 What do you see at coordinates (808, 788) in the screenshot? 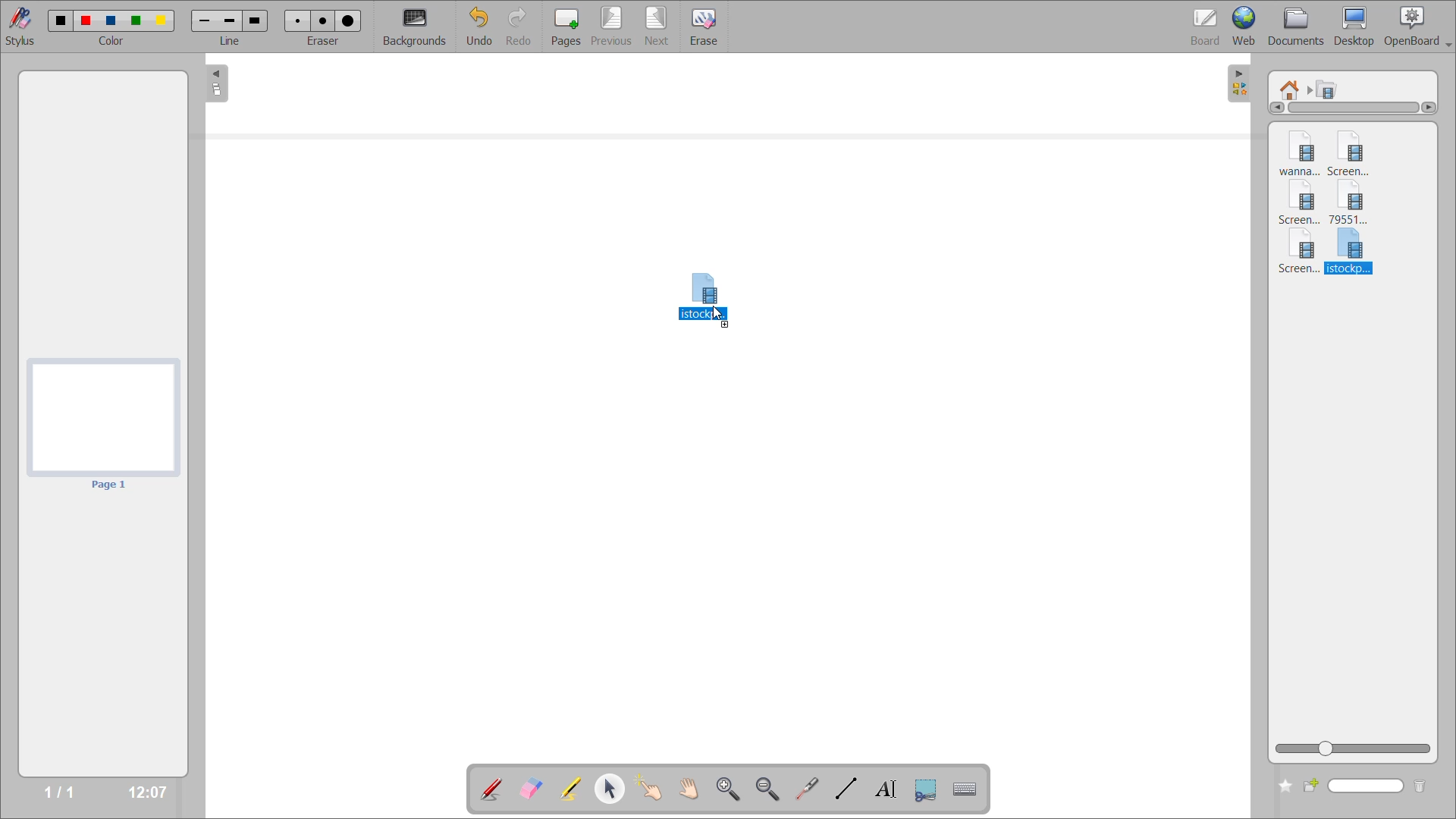
I see `virtual laser pointer` at bounding box center [808, 788].